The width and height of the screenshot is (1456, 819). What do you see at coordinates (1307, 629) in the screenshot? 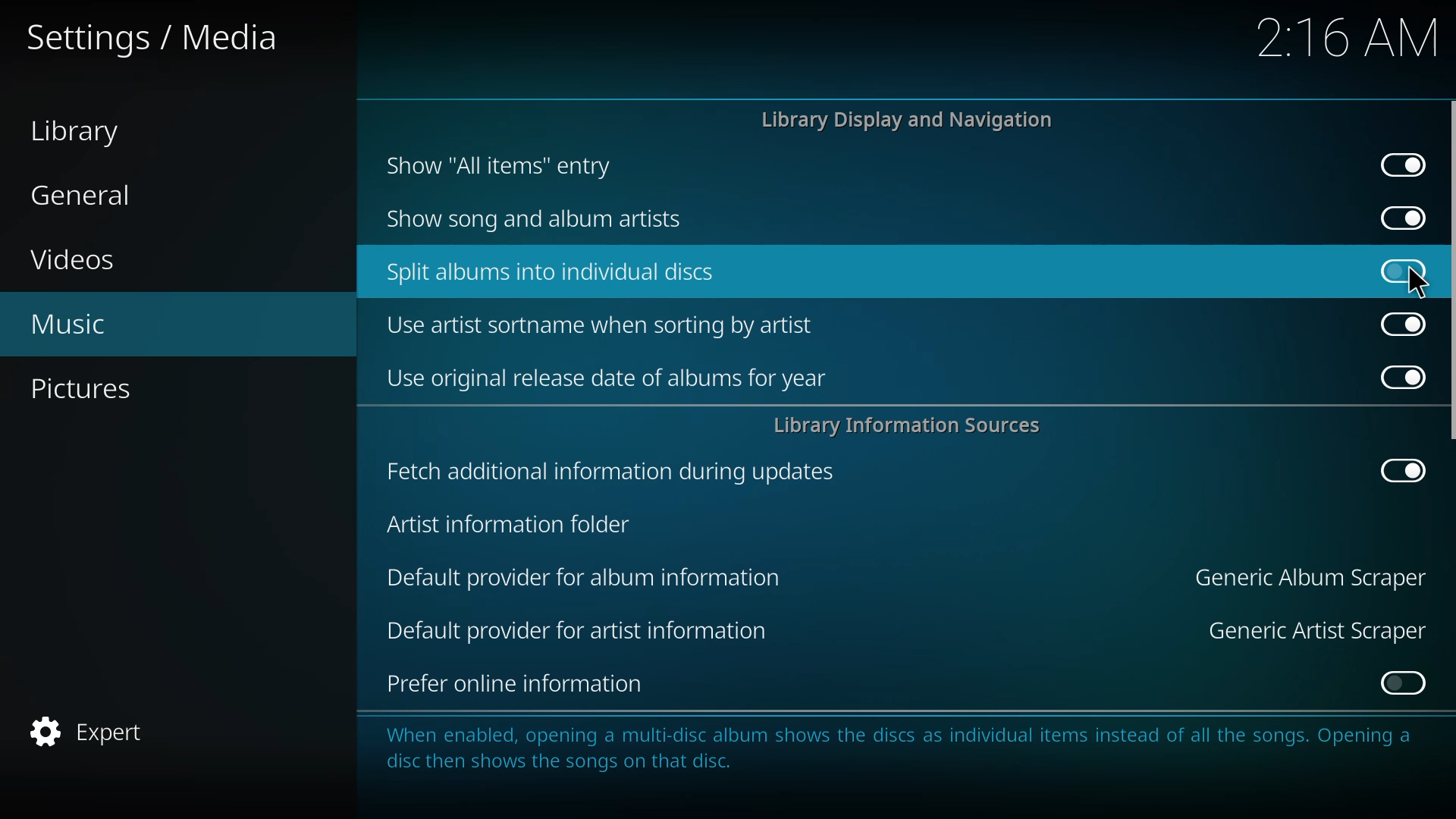
I see `generic` at bounding box center [1307, 629].